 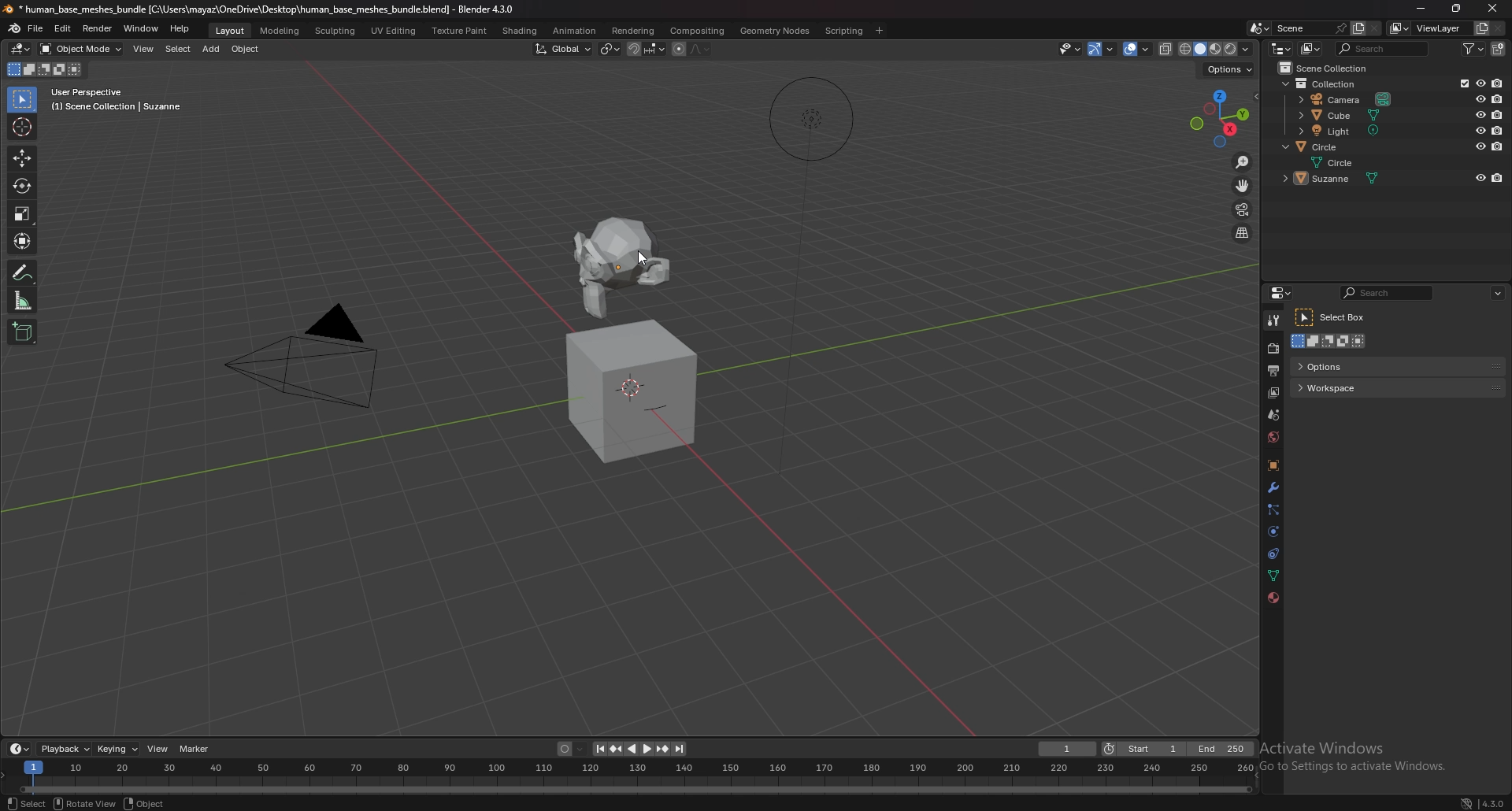 I want to click on workspace, so click(x=1347, y=388).